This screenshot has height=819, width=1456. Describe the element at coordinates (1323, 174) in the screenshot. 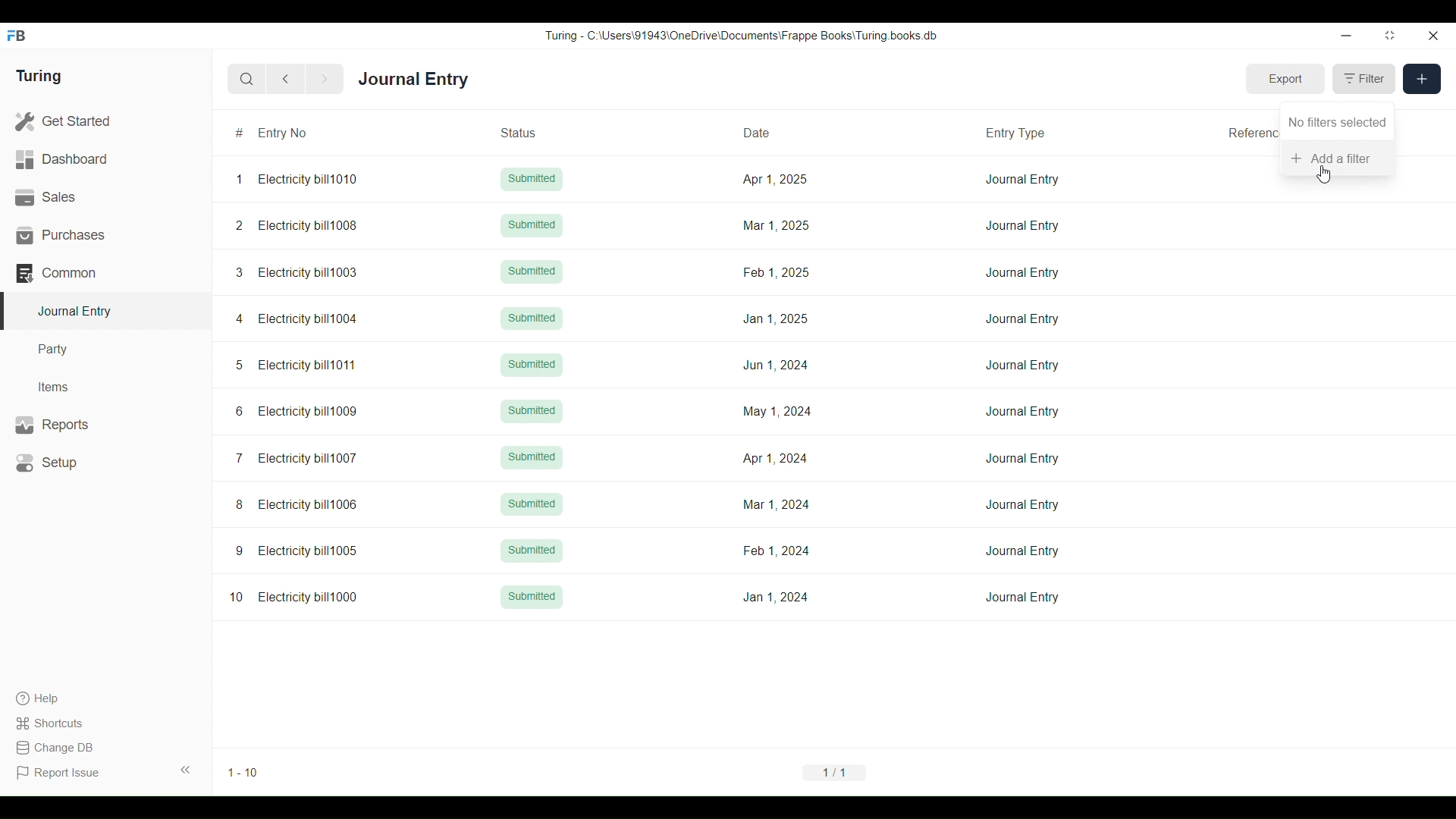

I see `Cursor` at that location.